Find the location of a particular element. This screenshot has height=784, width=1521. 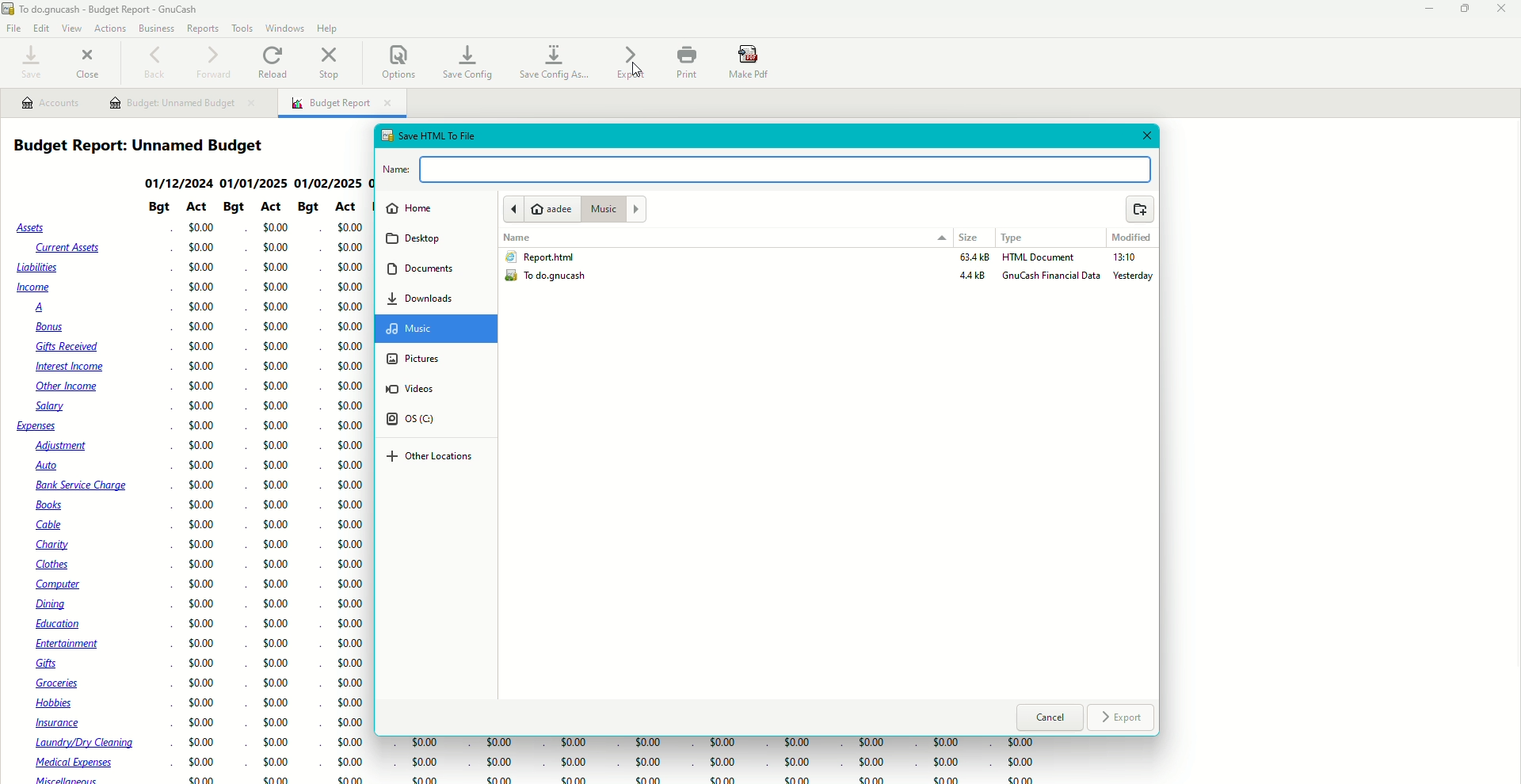

Music is located at coordinates (613, 208).